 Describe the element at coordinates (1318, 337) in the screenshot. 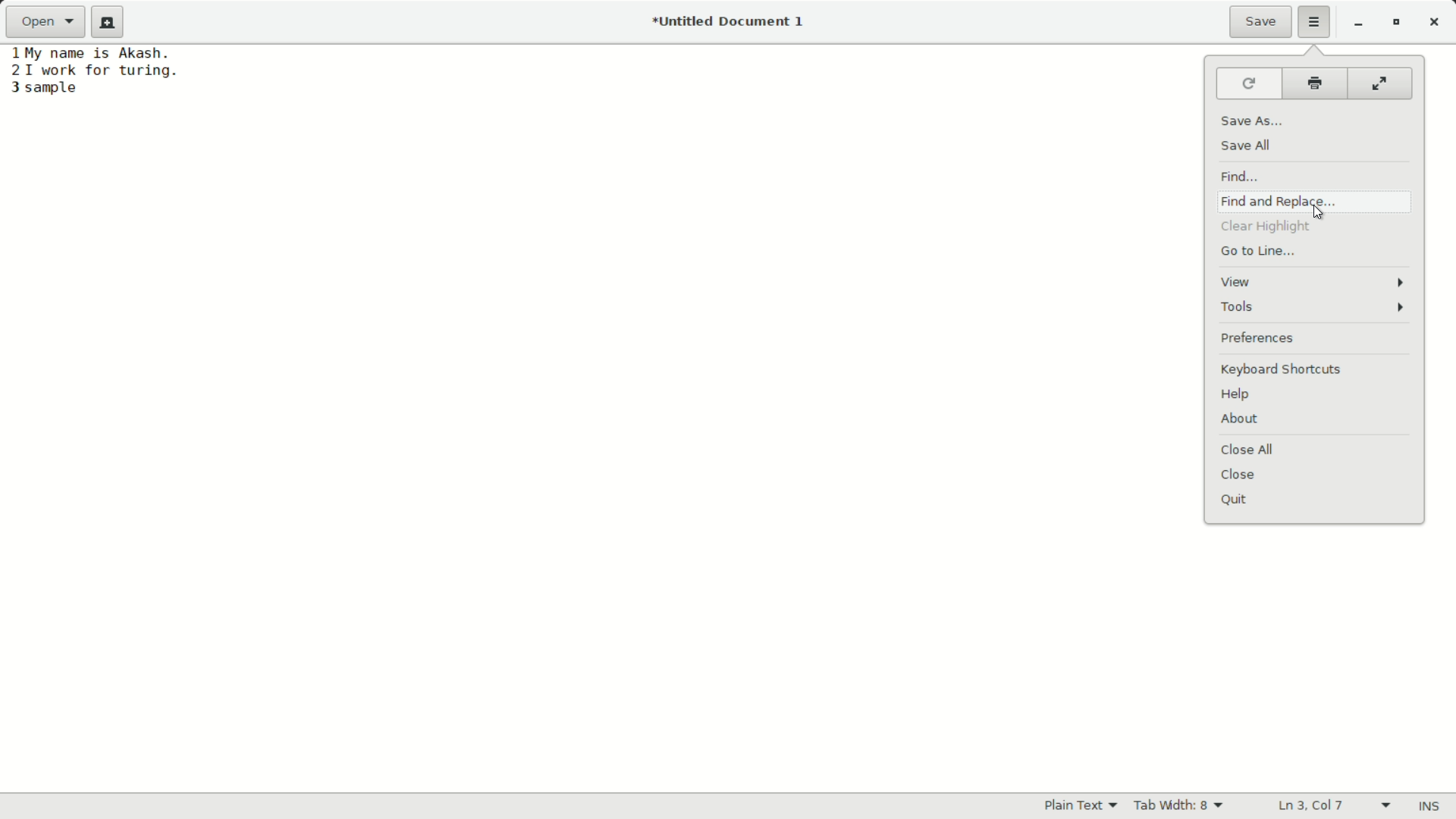

I see `preferences` at that location.